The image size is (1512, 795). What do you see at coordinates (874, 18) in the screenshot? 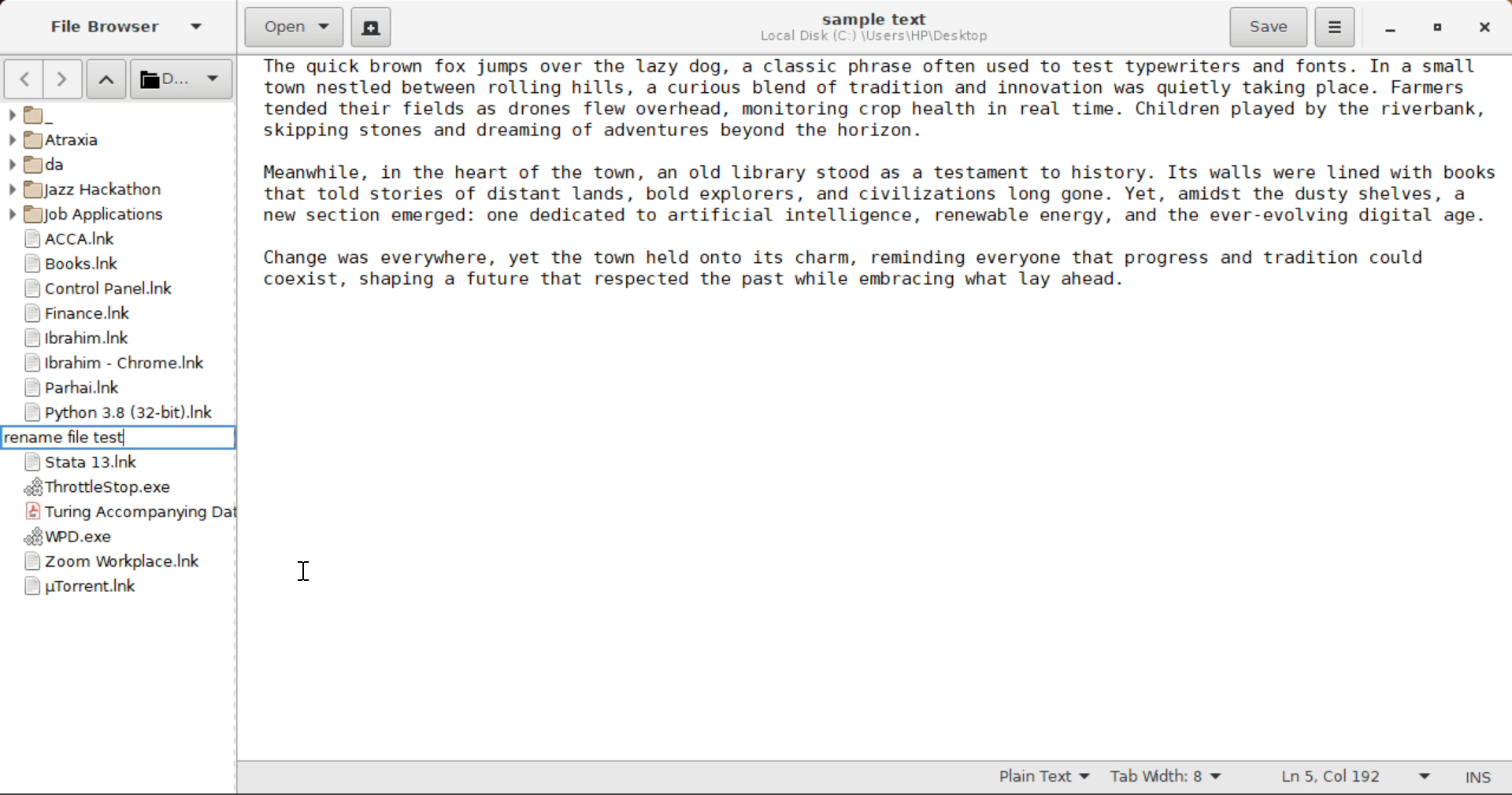
I see `sample text File Name` at bounding box center [874, 18].